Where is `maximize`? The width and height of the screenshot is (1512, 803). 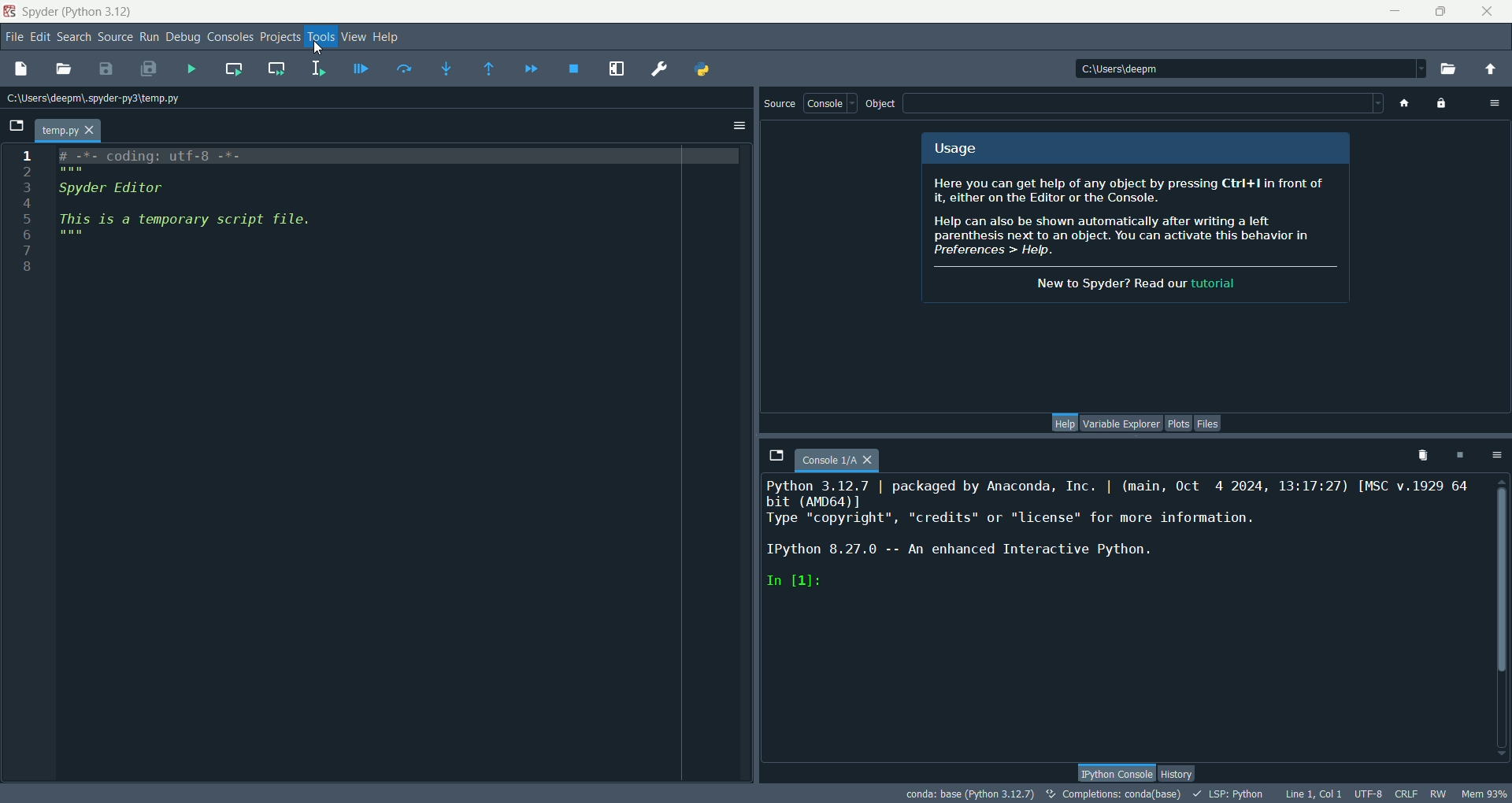
maximize is located at coordinates (1441, 9).